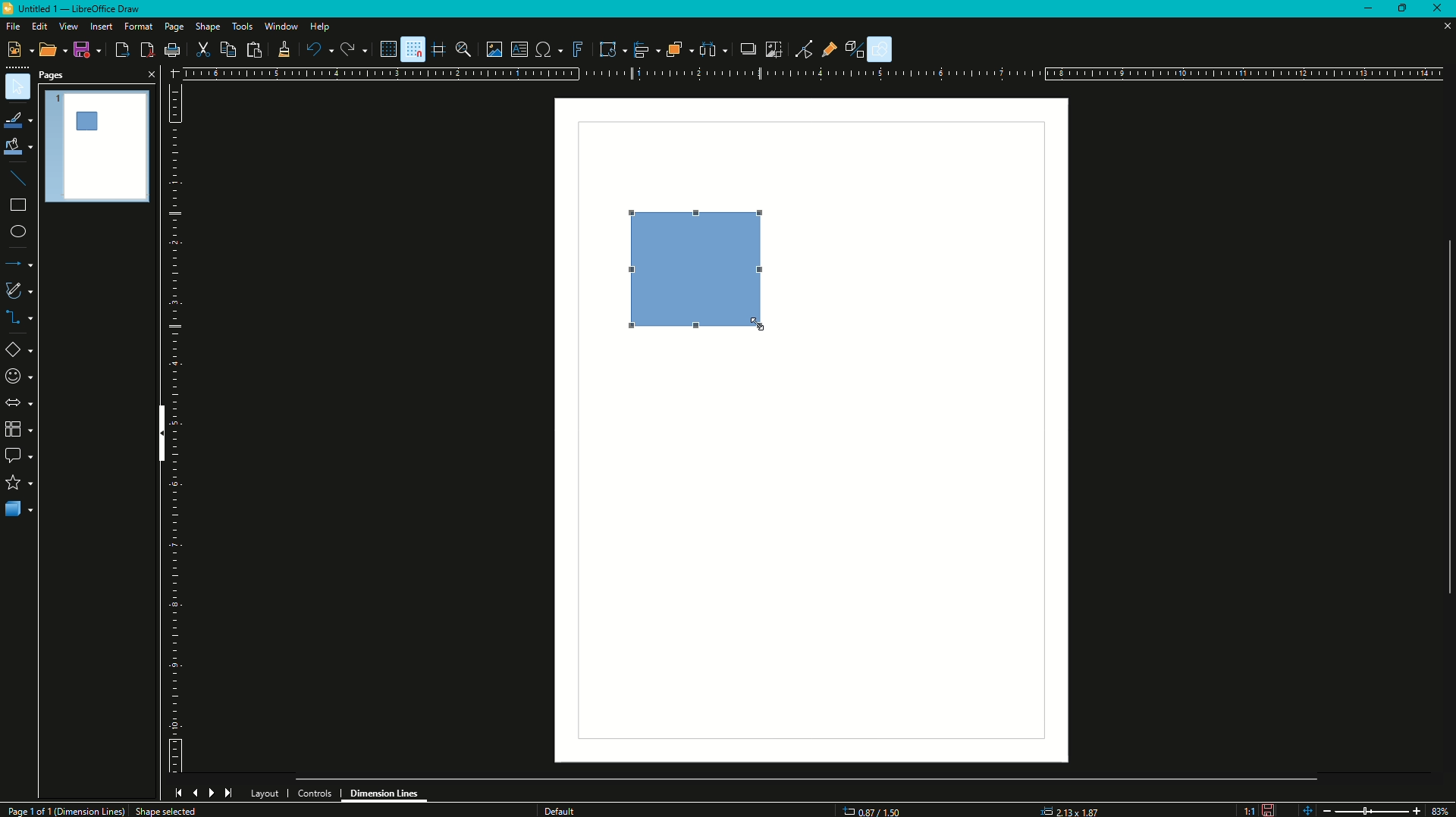 This screenshot has height=817, width=1456. Describe the element at coordinates (17, 377) in the screenshot. I see `Insert Characters` at that location.